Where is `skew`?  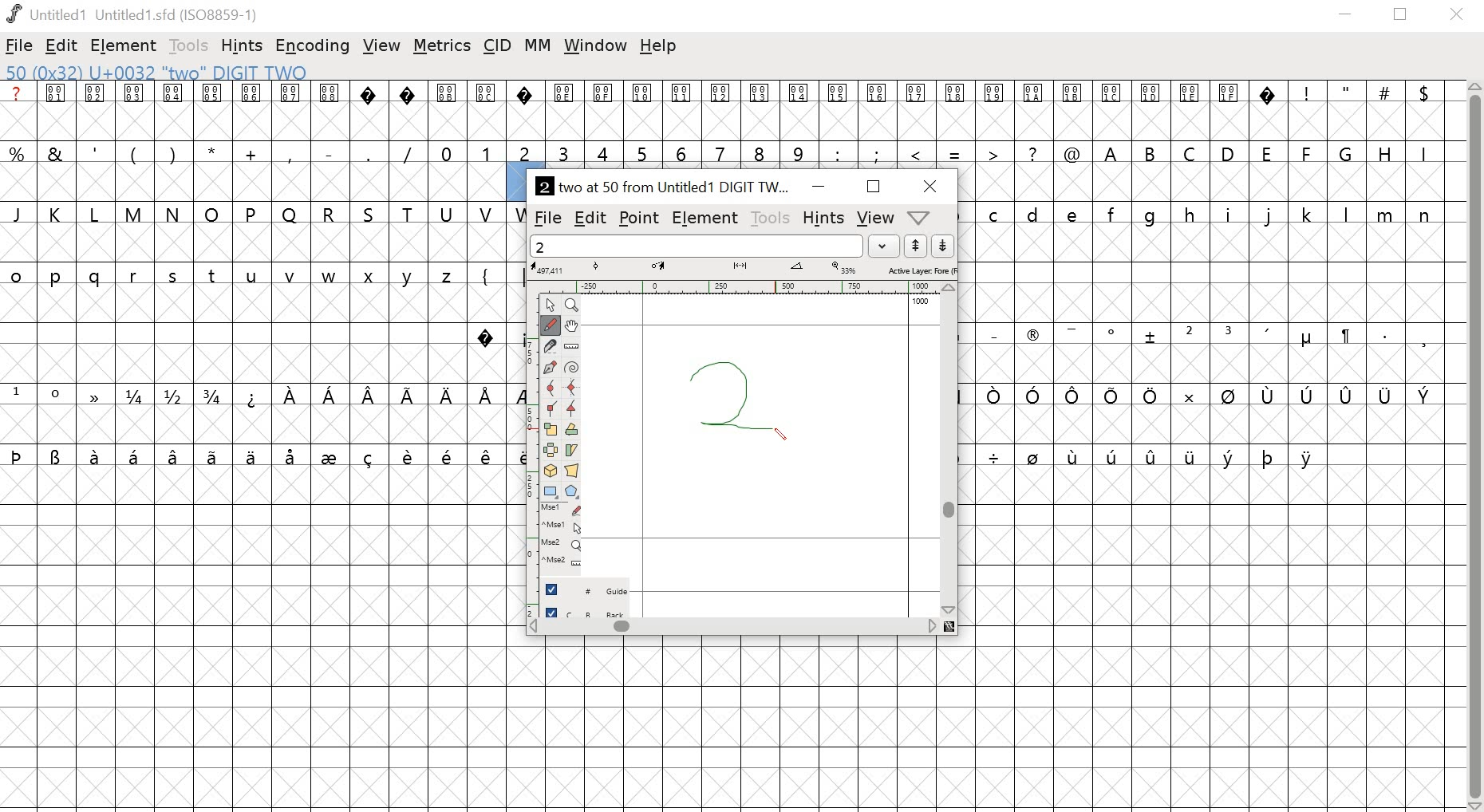
skew is located at coordinates (571, 451).